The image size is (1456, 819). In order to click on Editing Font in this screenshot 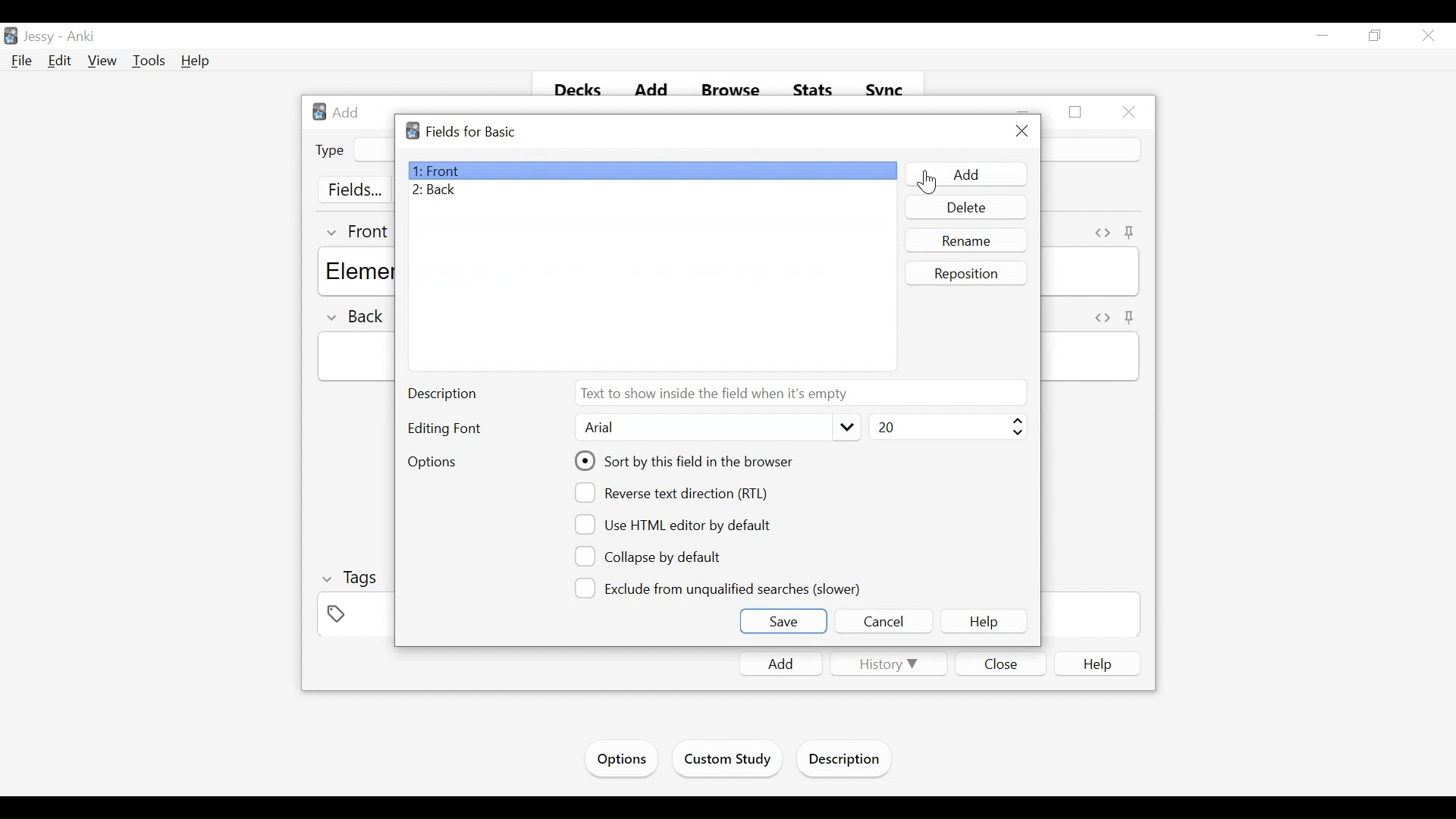, I will do `click(451, 429)`.